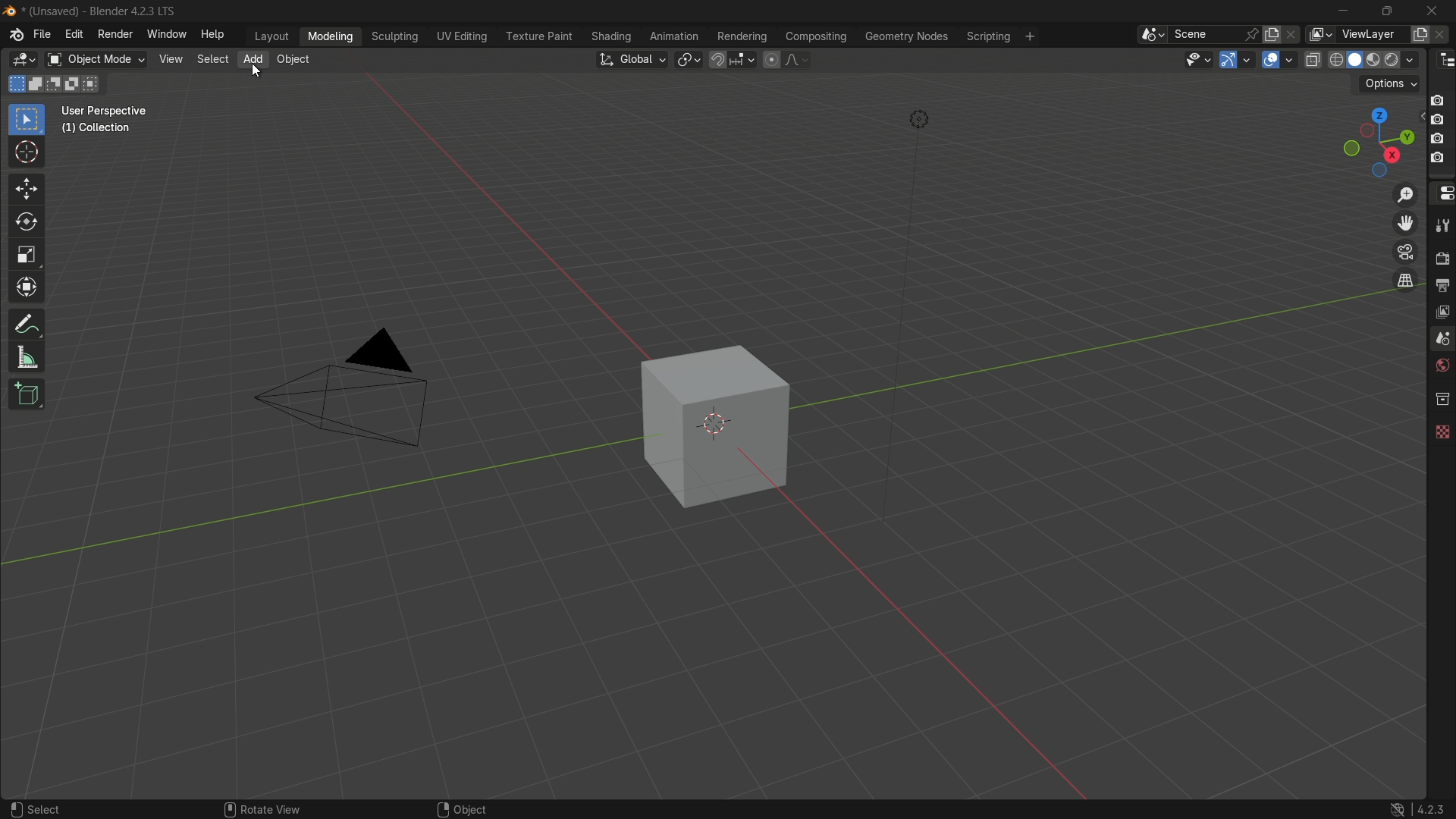 This screenshot has height=819, width=1456. I want to click on 4.2.3, so click(1432, 808).